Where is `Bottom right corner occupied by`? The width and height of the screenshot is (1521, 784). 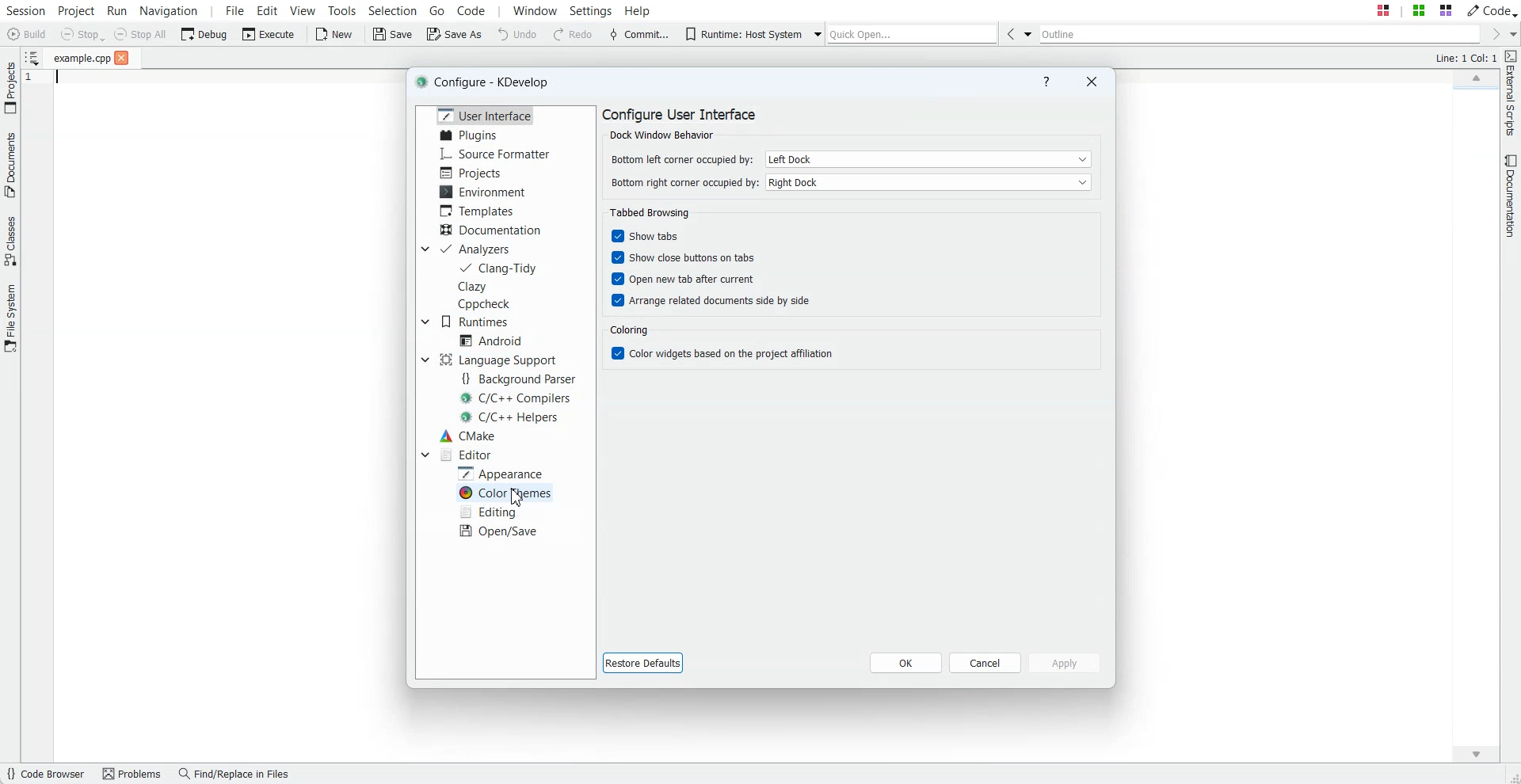
Bottom right corner occupied by is located at coordinates (681, 185).